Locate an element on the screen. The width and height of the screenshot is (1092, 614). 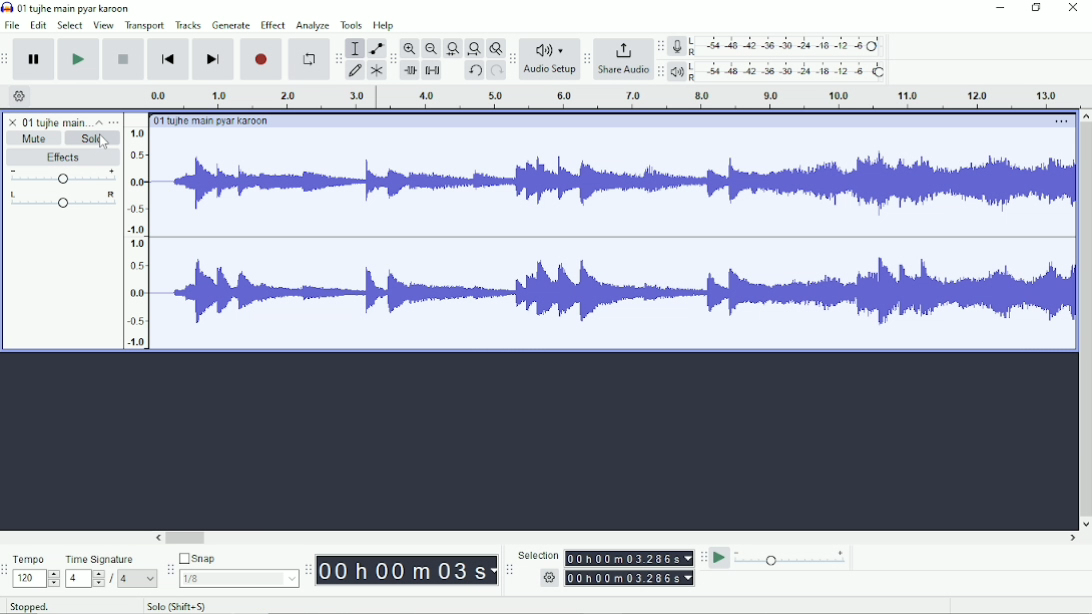
Fit project to width is located at coordinates (473, 47).